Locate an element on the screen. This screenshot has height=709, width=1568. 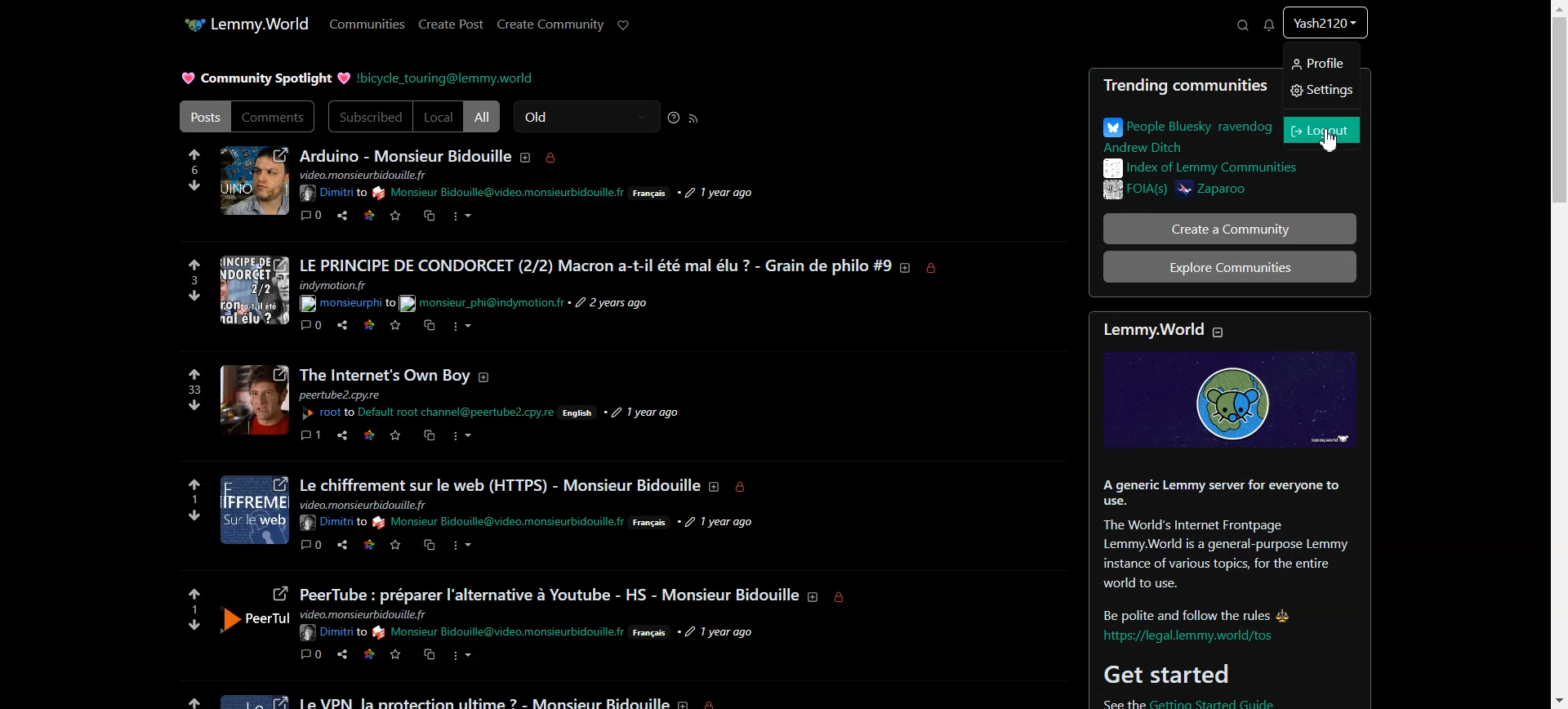
Text is located at coordinates (264, 79).